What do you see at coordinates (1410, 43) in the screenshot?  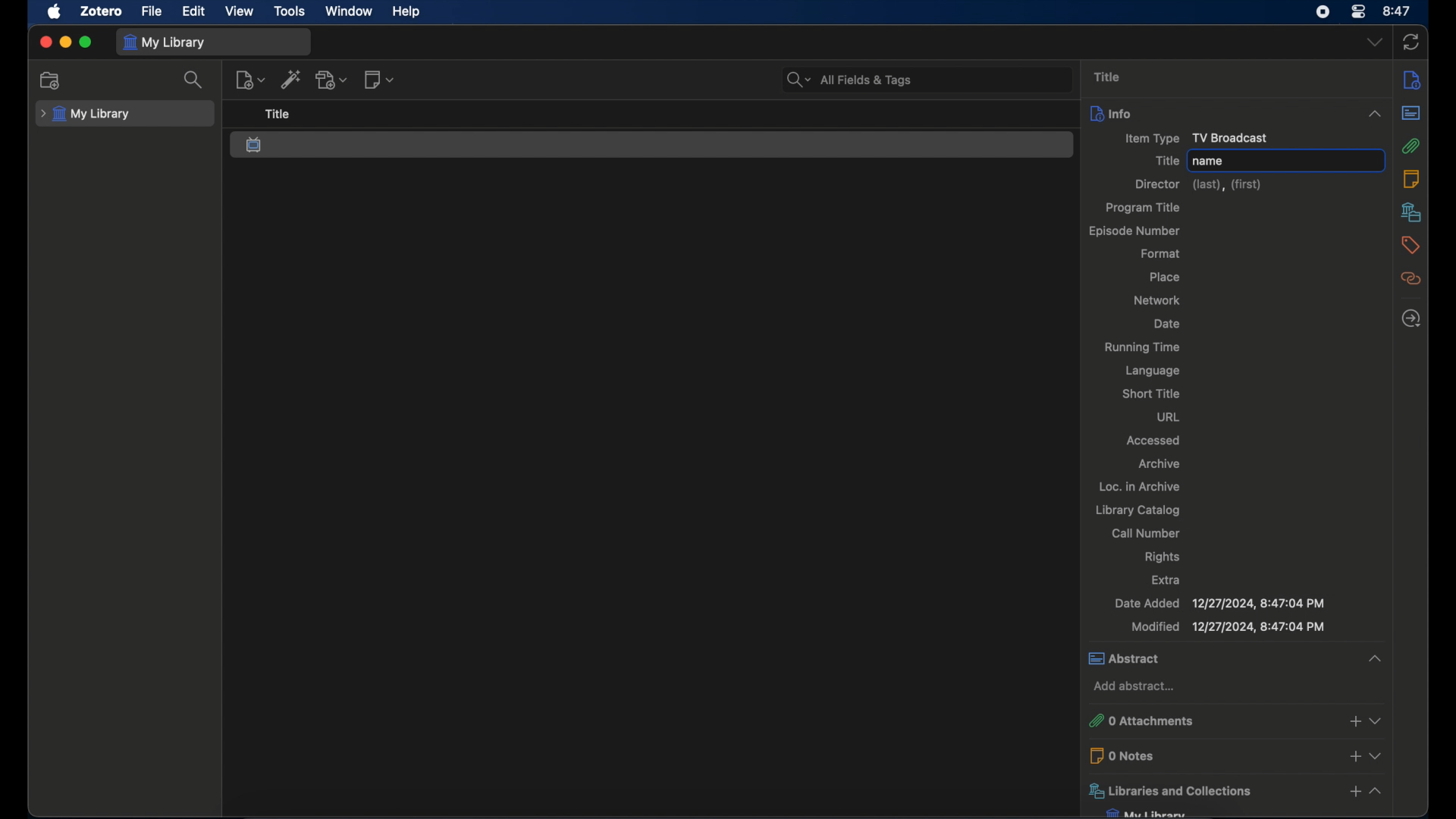 I see `sync` at bounding box center [1410, 43].